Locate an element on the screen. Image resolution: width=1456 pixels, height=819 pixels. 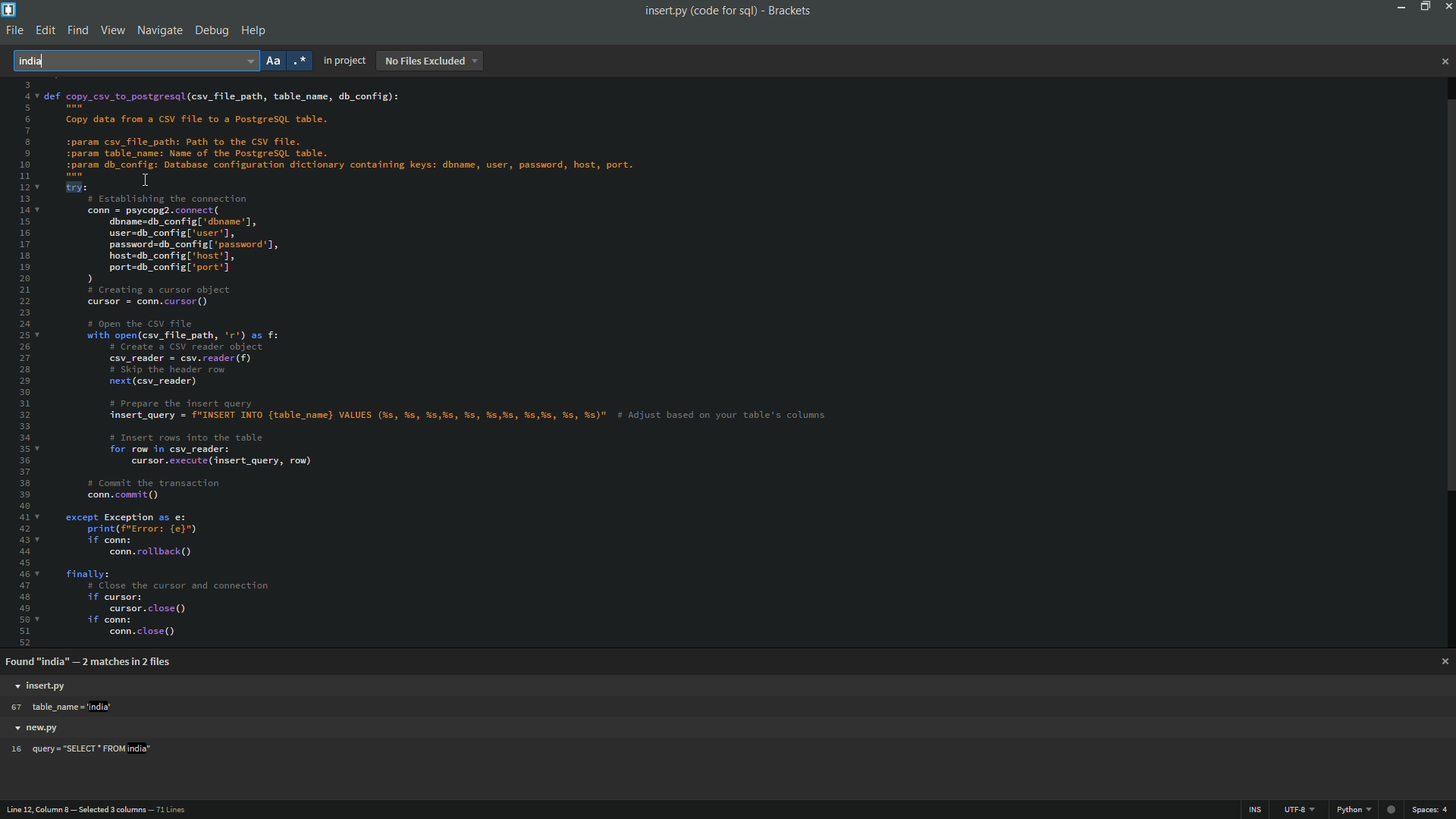
found 'india' - 2 matches found is located at coordinates (92, 662).